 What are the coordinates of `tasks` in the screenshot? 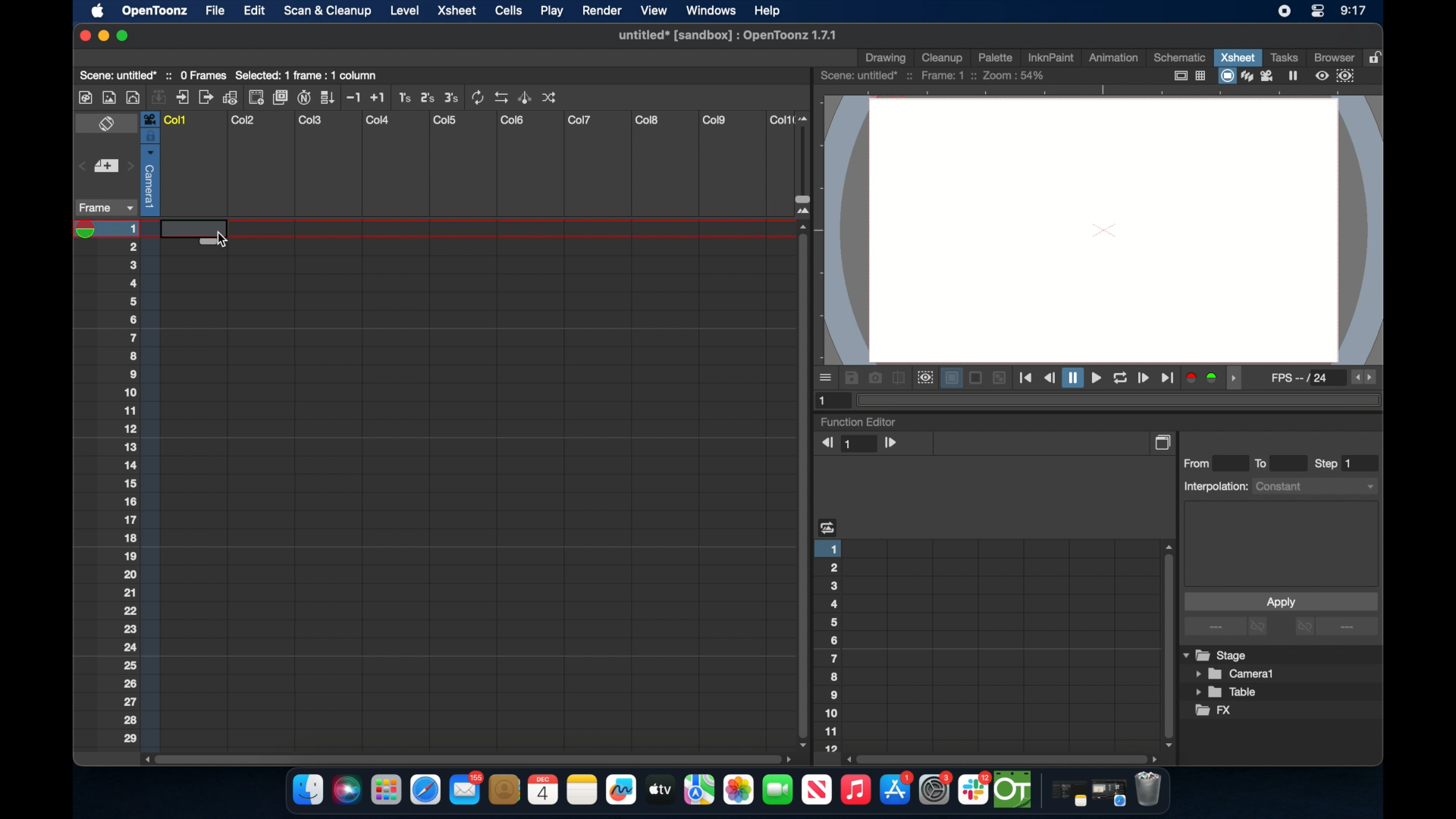 It's located at (1283, 57).